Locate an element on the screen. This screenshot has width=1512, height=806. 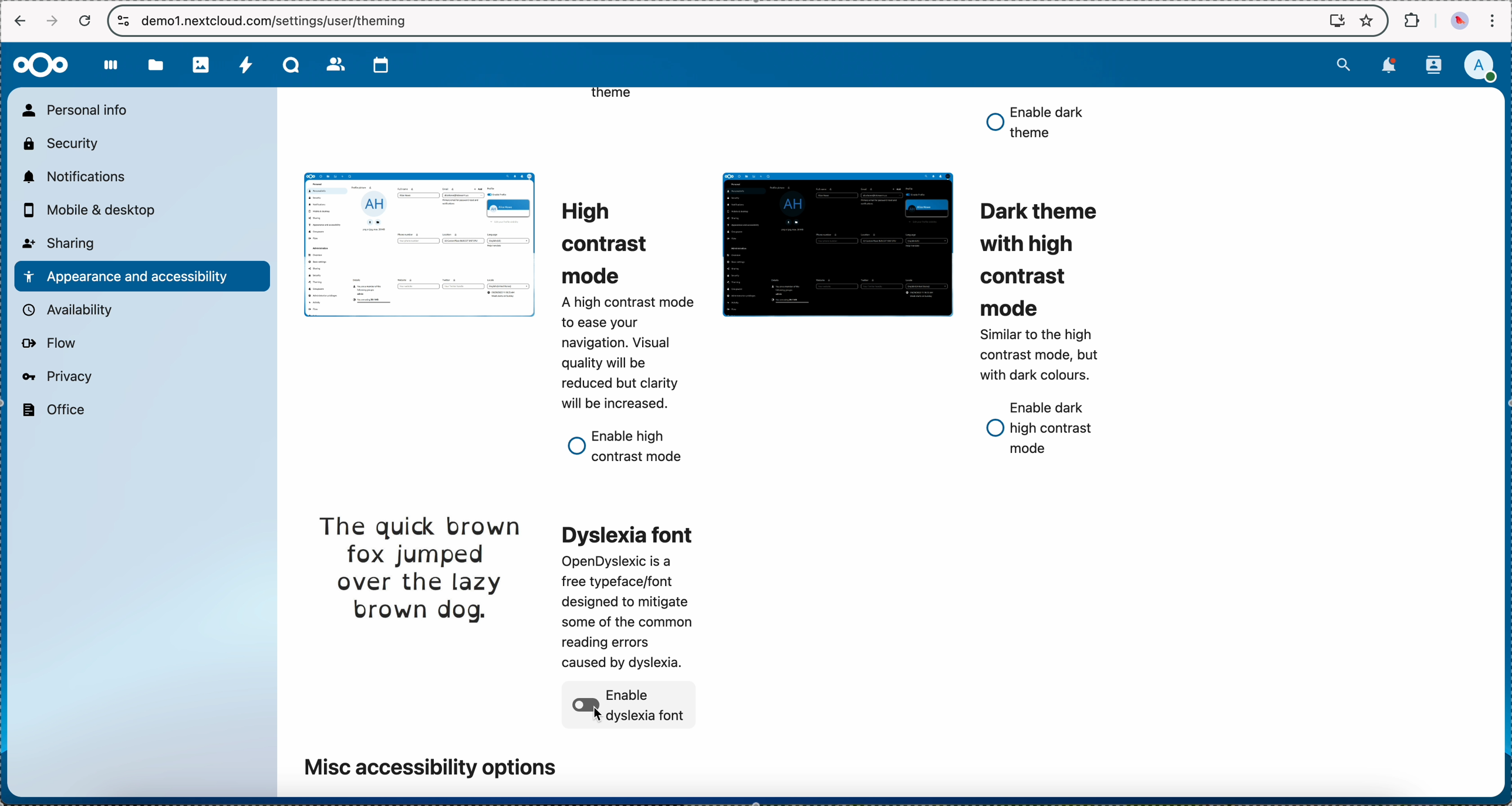
notifications is located at coordinates (1387, 67).